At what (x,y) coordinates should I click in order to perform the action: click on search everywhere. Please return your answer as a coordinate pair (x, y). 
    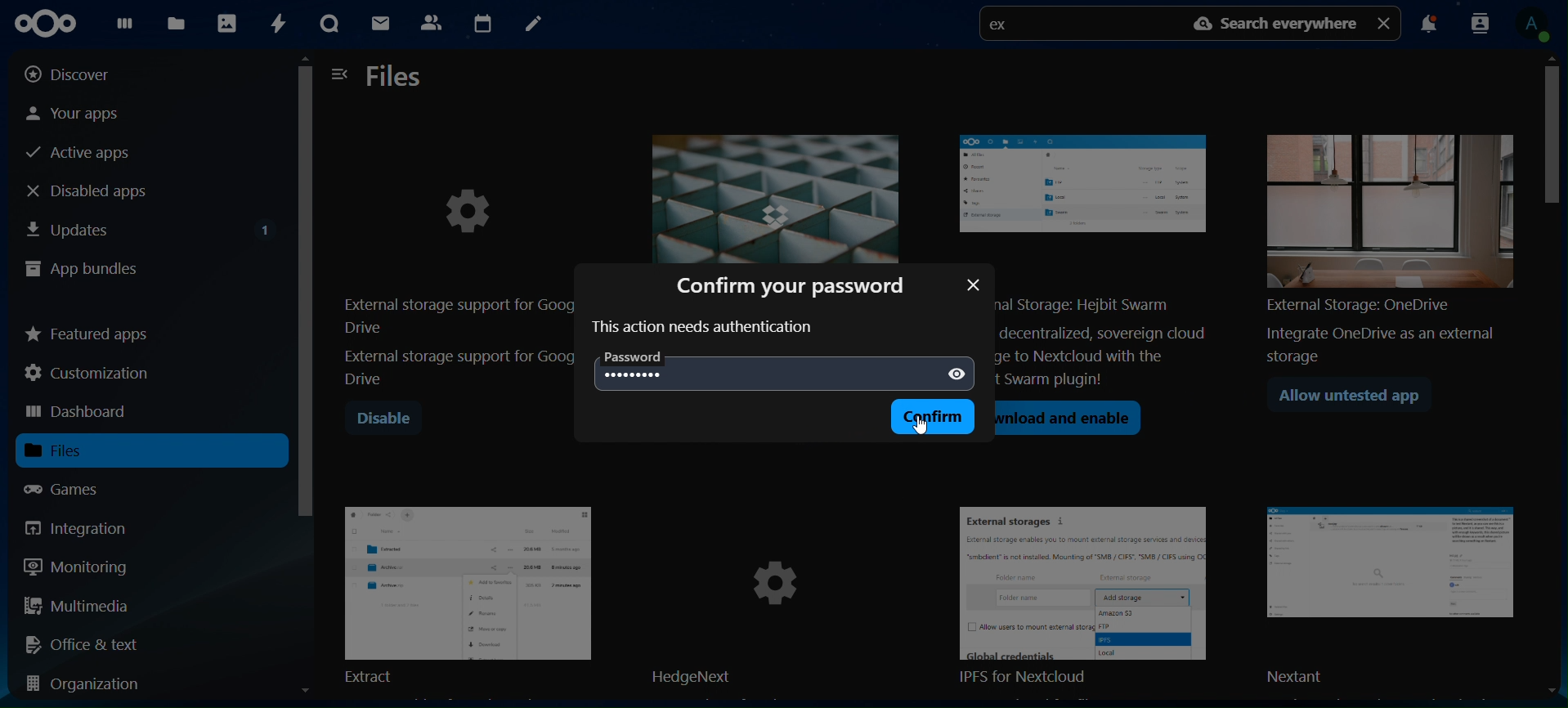
    Looking at the image, I should click on (1278, 24).